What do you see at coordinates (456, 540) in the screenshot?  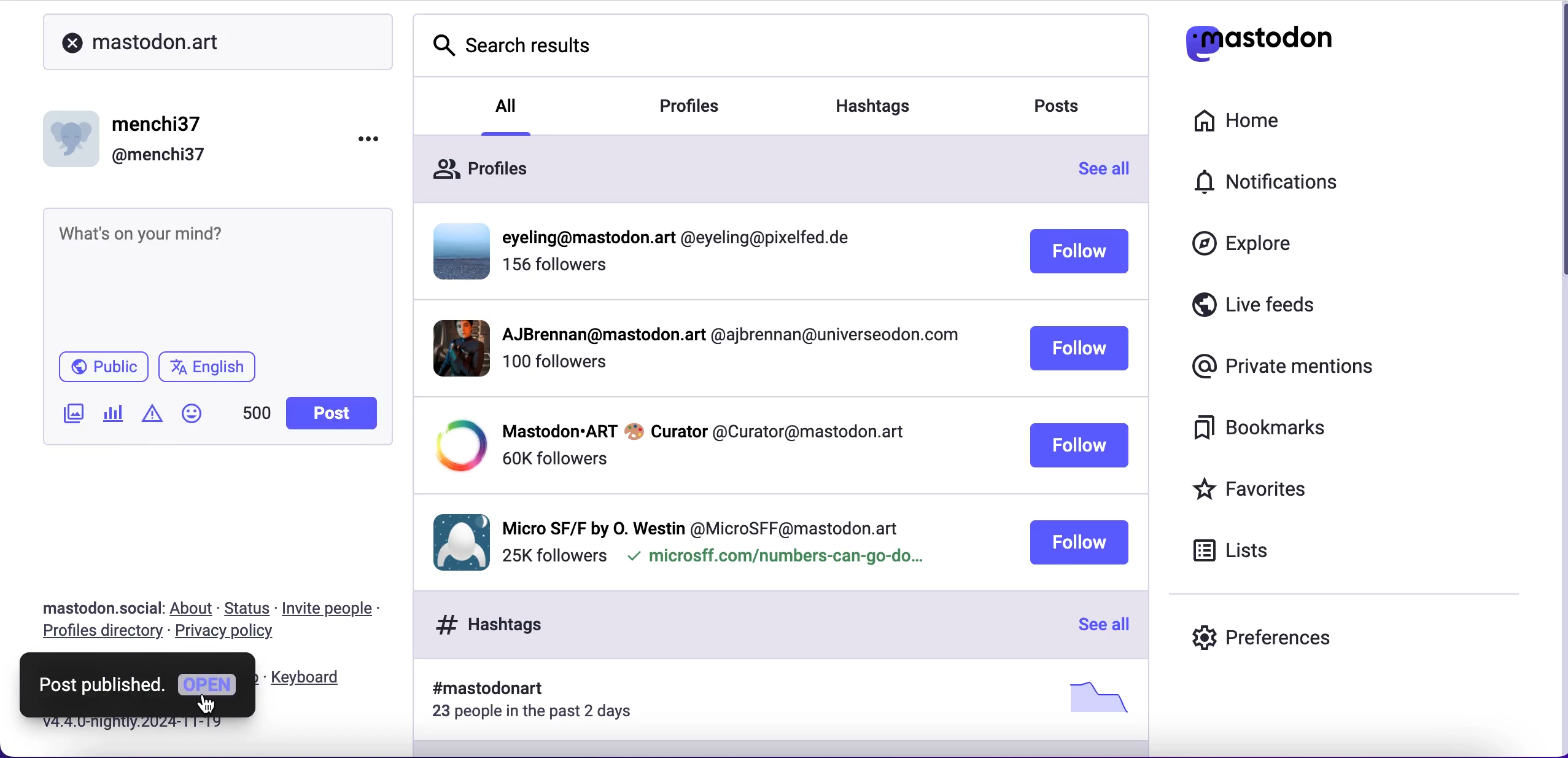 I see `display picture` at bounding box center [456, 540].